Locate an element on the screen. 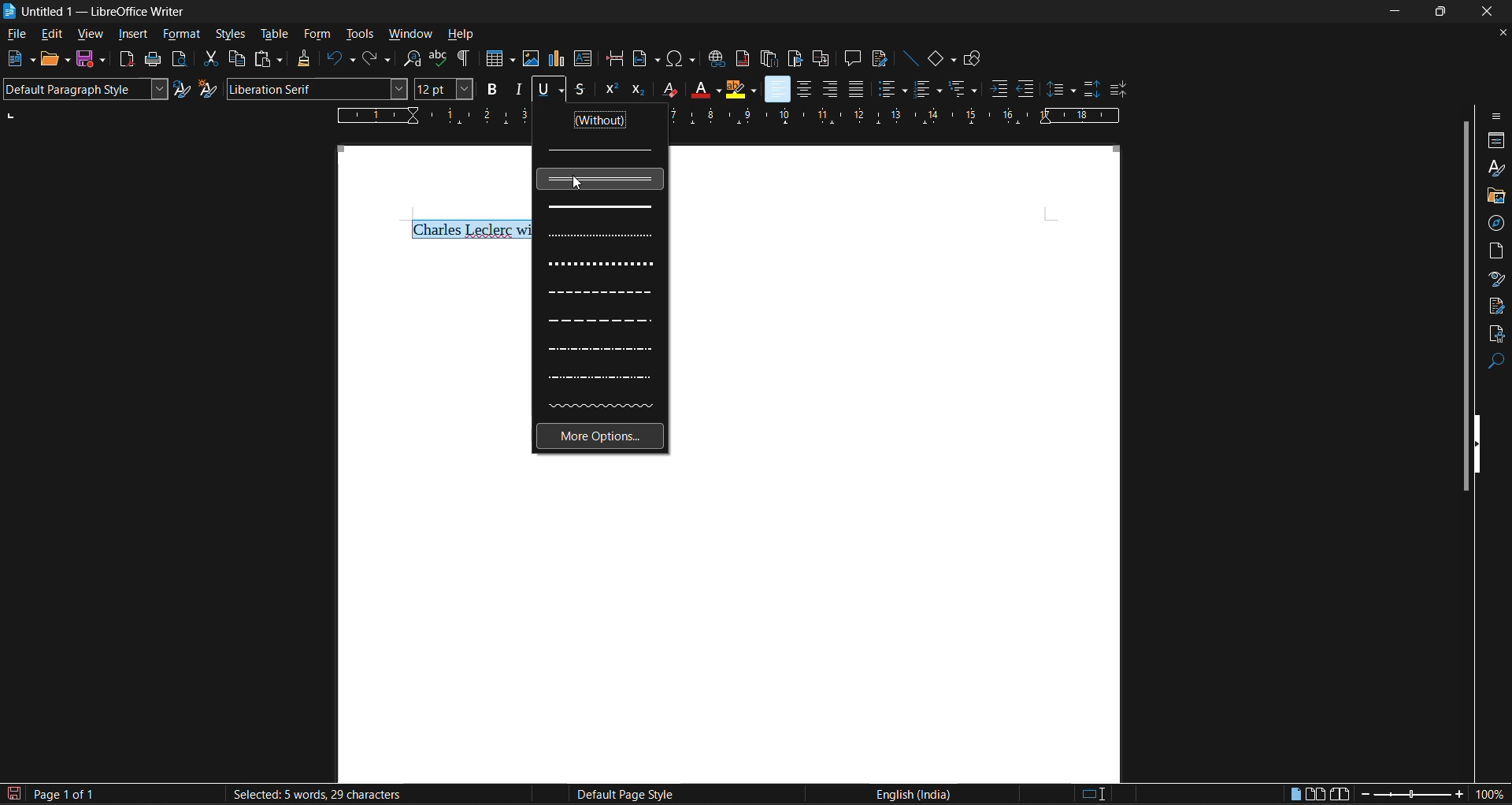 The image size is (1512, 805). clear direct formatting is located at coordinates (666, 88).